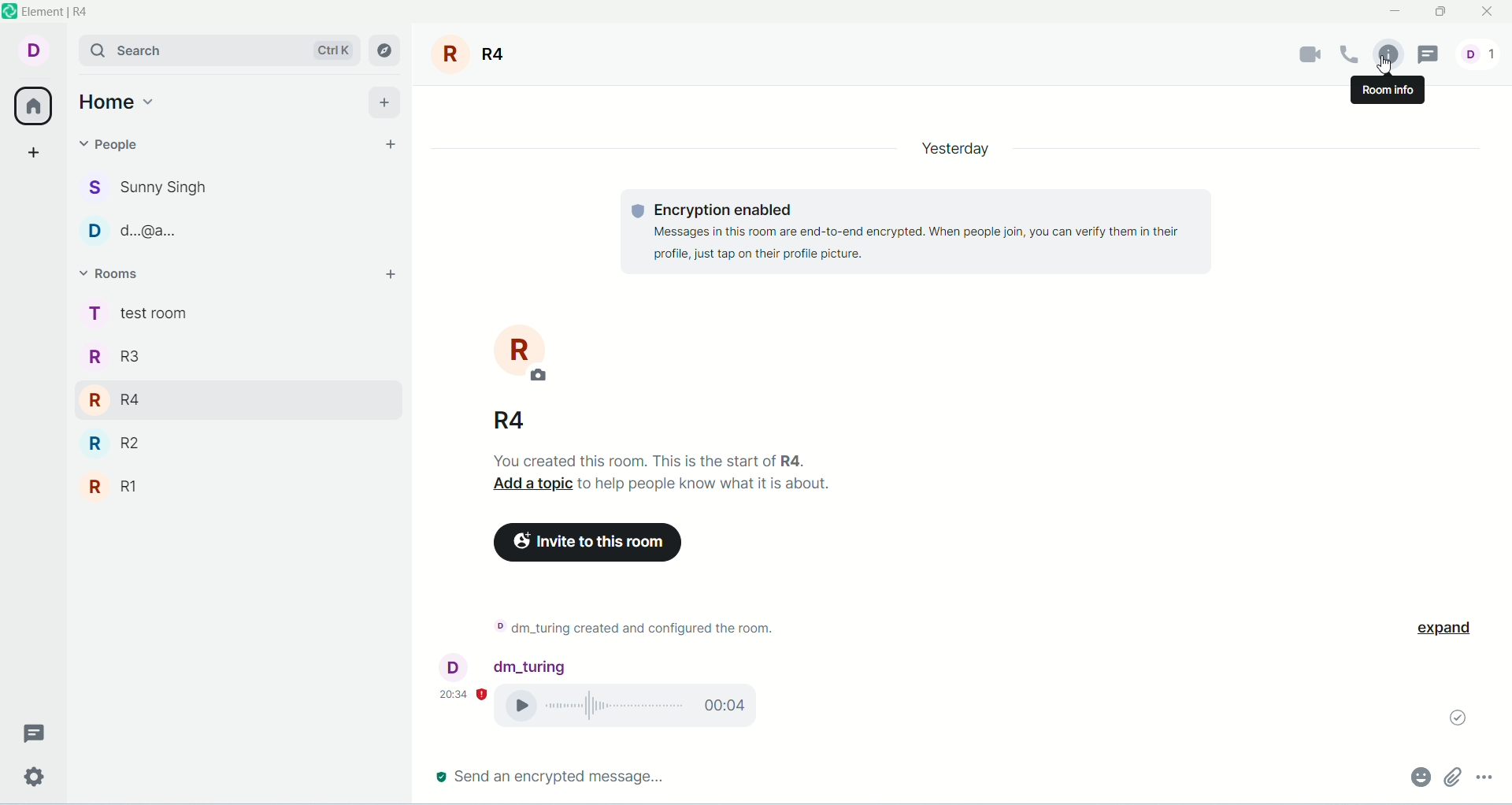 Image resolution: width=1512 pixels, height=805 pixels. Describe the element at coordinates (37, 152) in the screenshot. I see `create a space` at that location.